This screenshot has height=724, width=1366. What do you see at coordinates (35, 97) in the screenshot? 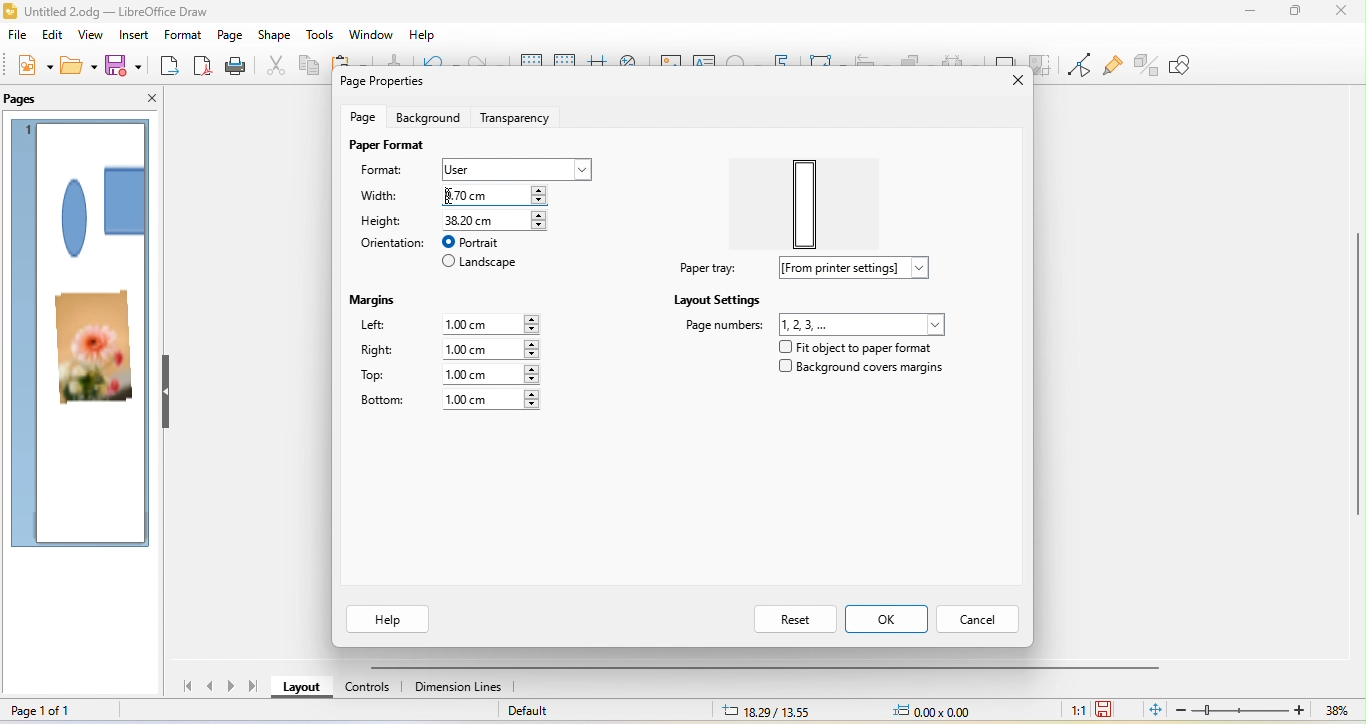
I see `pages` at bounding box center [35, 97].